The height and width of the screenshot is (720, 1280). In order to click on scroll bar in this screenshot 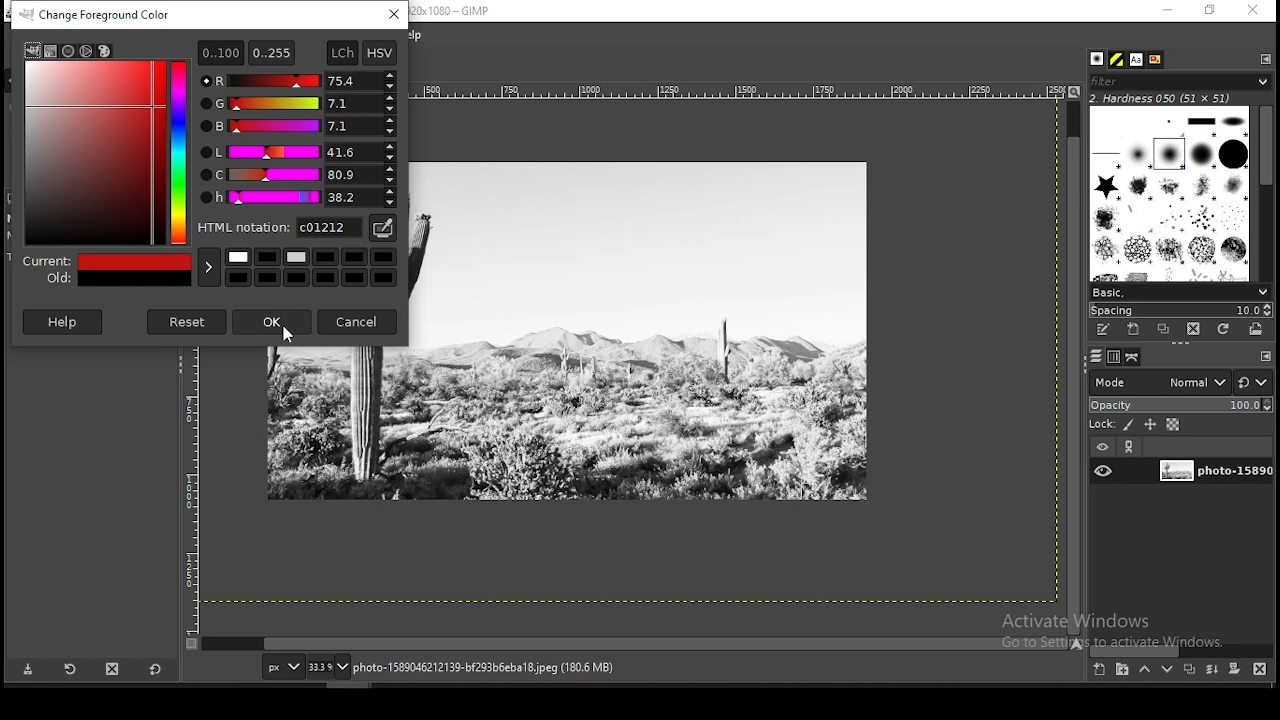, I will do `click(636, 644)`.